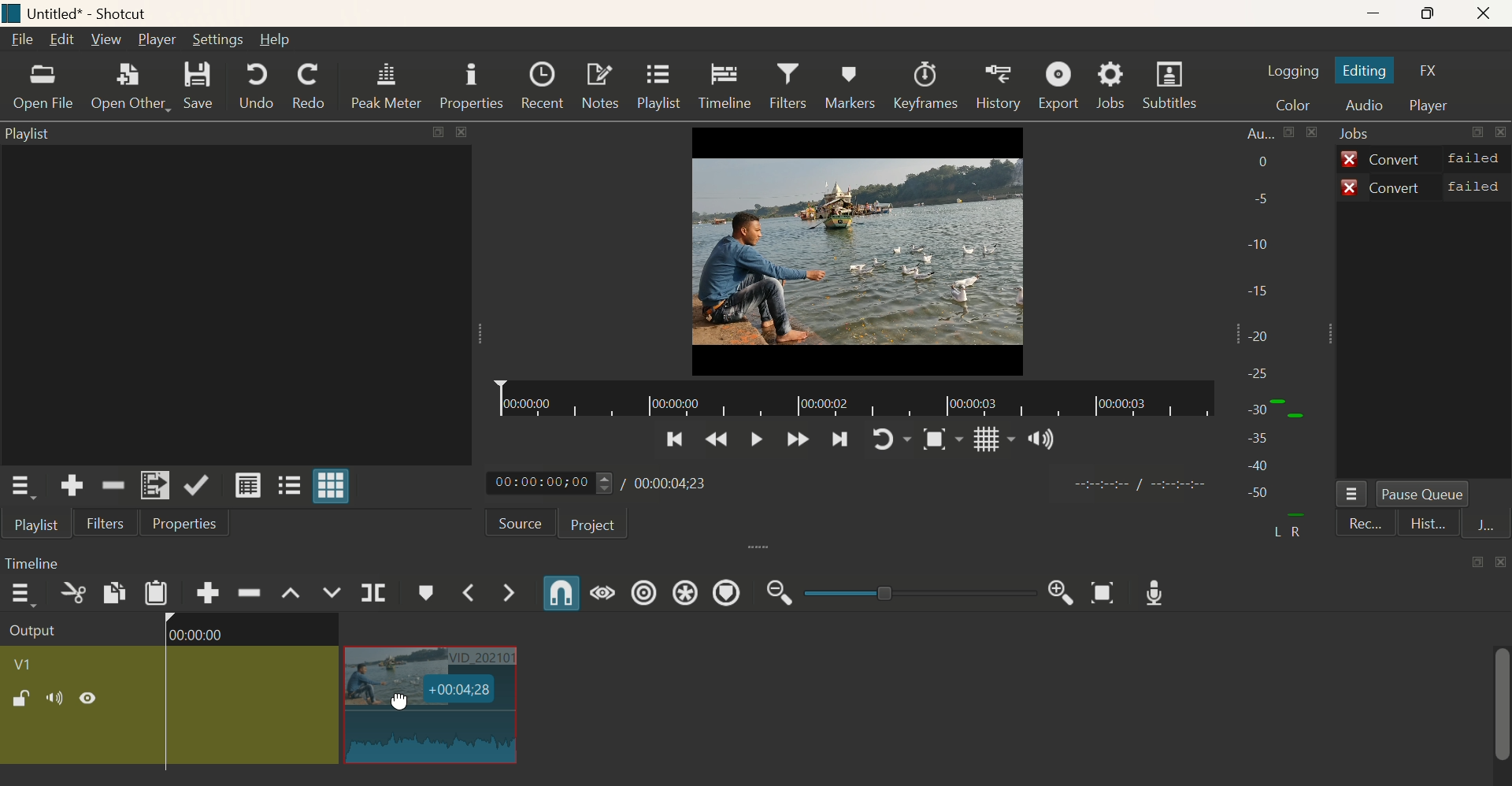 The image size is (1512, 786). Describe the element at coordinates (1425, 187) in the screenshot. I see `Convert` at that location.